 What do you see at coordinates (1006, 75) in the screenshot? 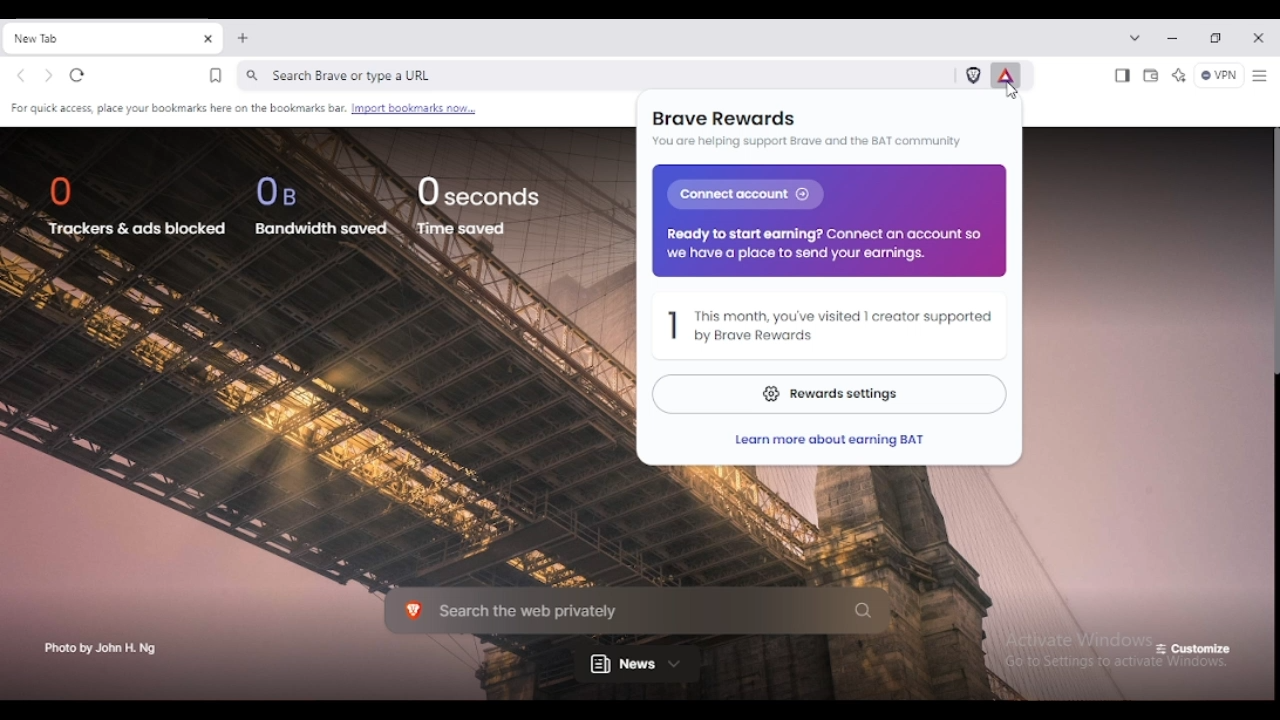
I see `brave rewards panel` at bounding box center [1006, 75].